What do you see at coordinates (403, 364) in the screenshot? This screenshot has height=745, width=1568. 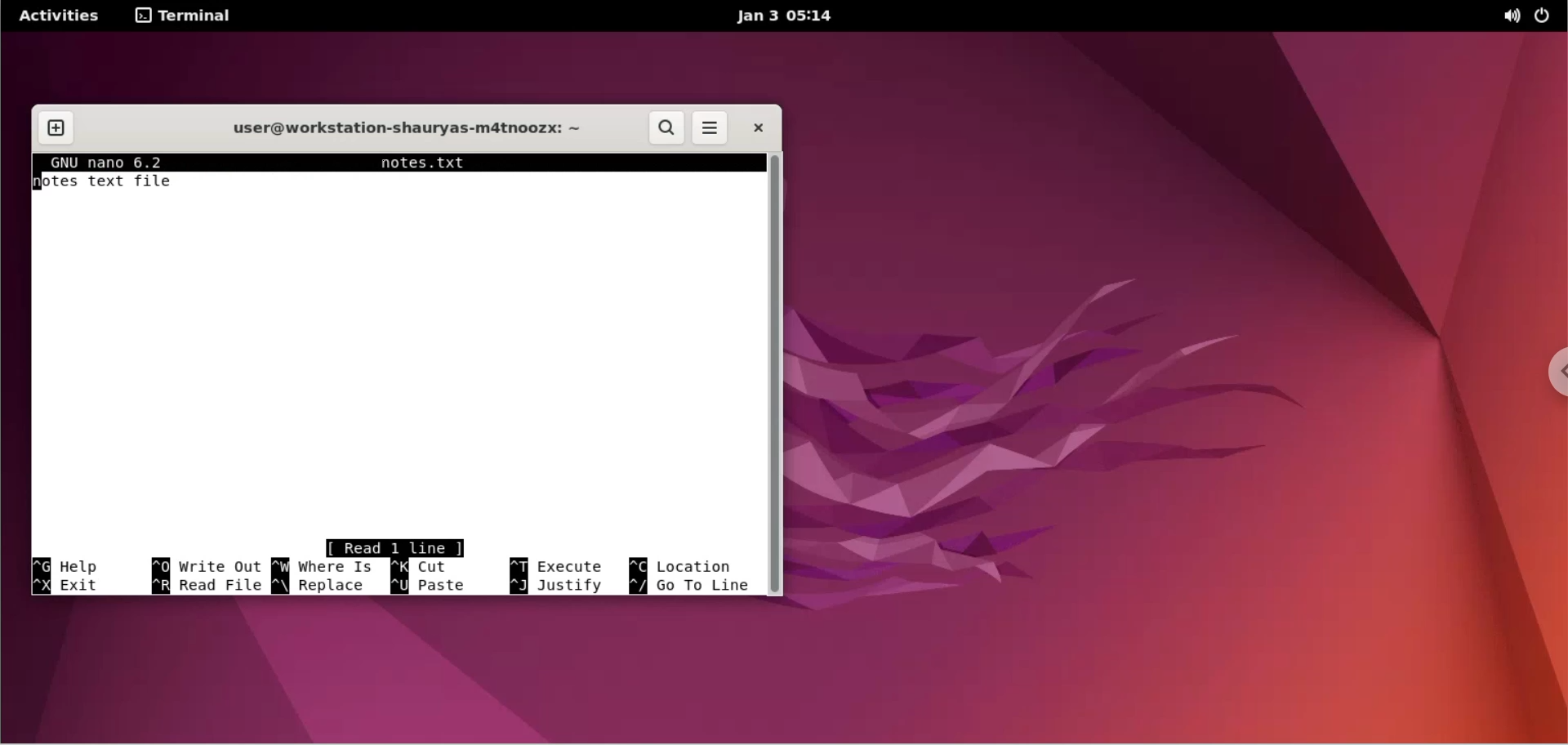 I see `text box` at bounding box center [403, 364].